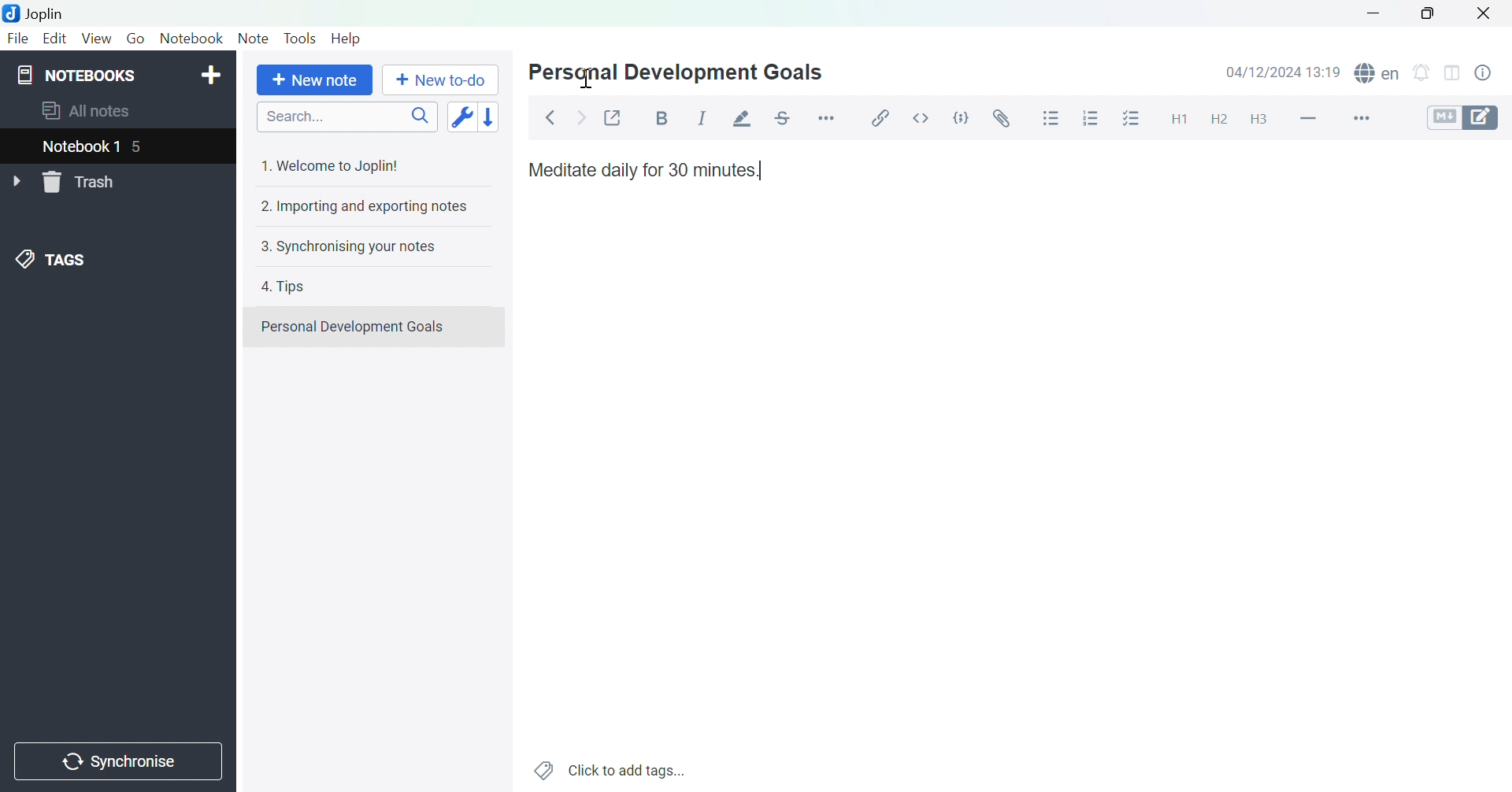 This screenshot has height=792, width=1512. I want to click on Search, so click(346, 116).